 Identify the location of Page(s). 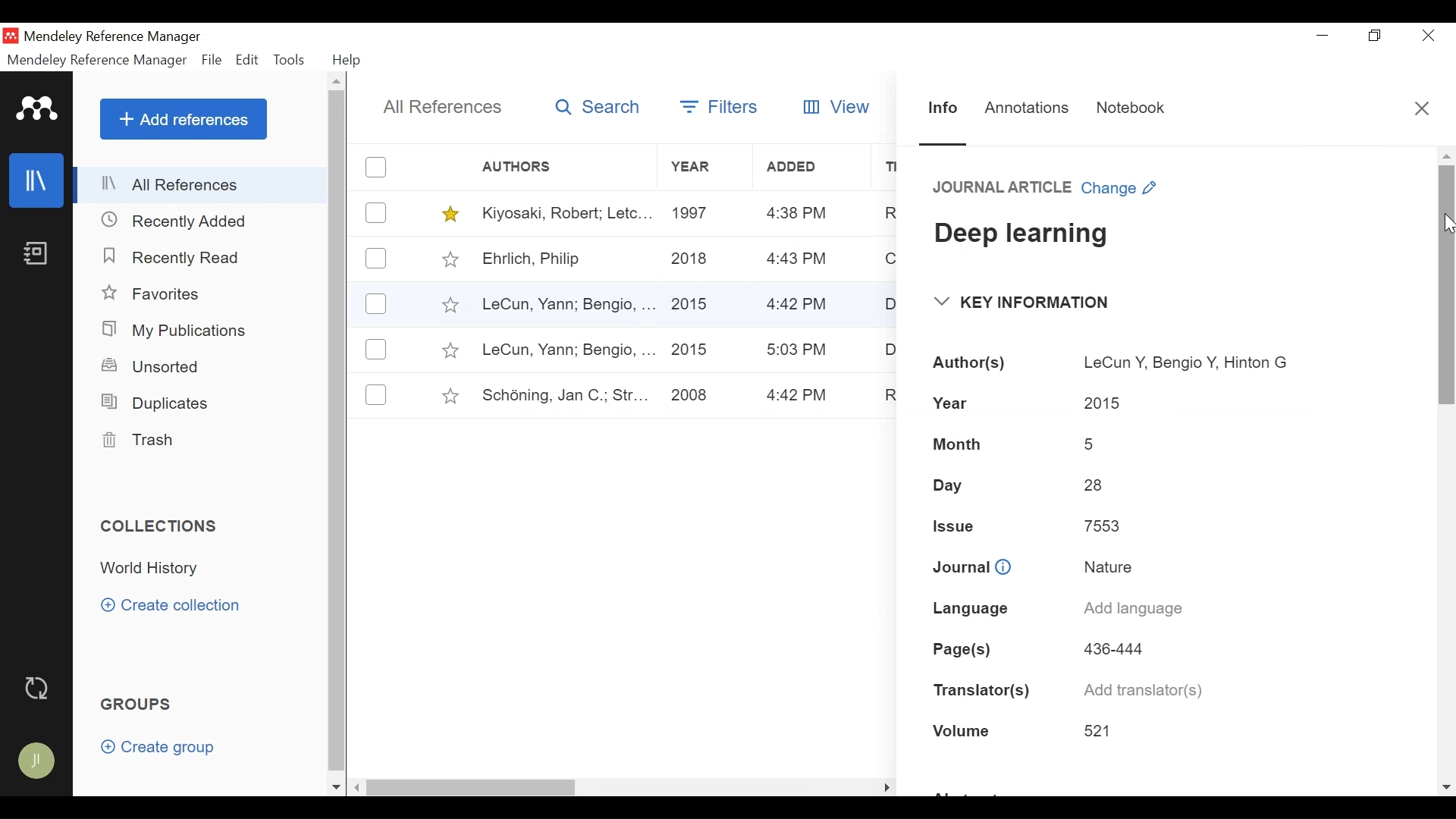
(968, 646).